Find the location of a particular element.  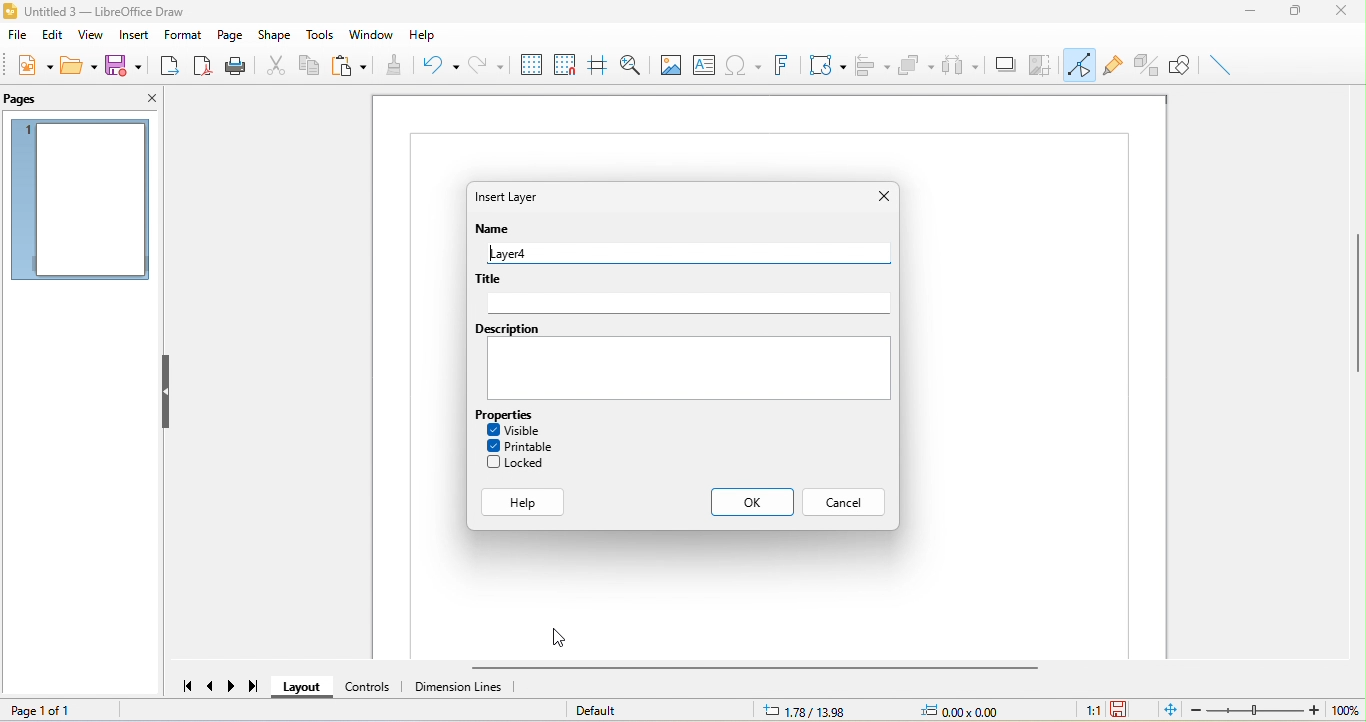

0.00x0.00 is located at coordinates (975, 710).